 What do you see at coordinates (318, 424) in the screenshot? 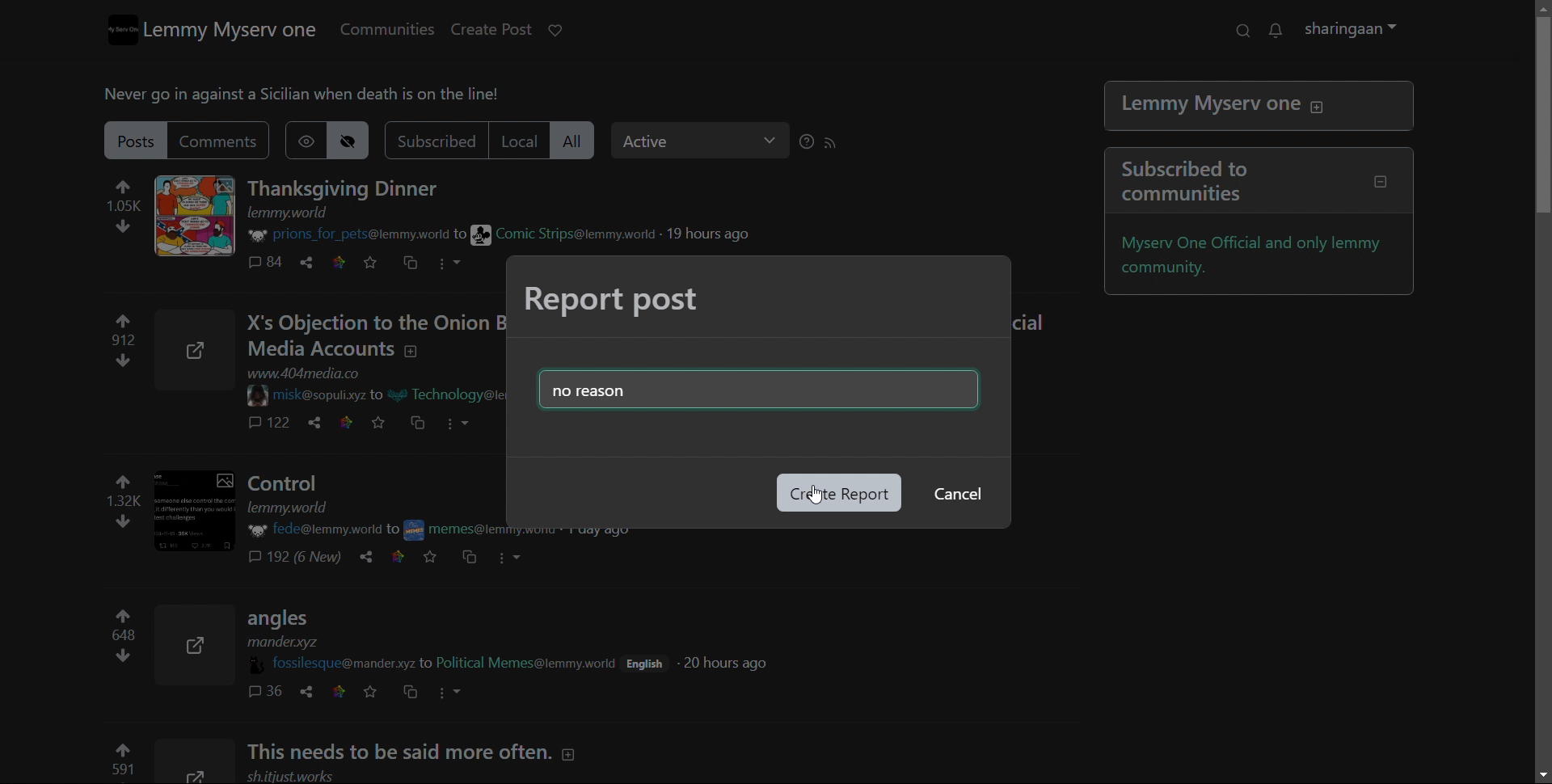
I see `share` at bounding box center [318, 424].